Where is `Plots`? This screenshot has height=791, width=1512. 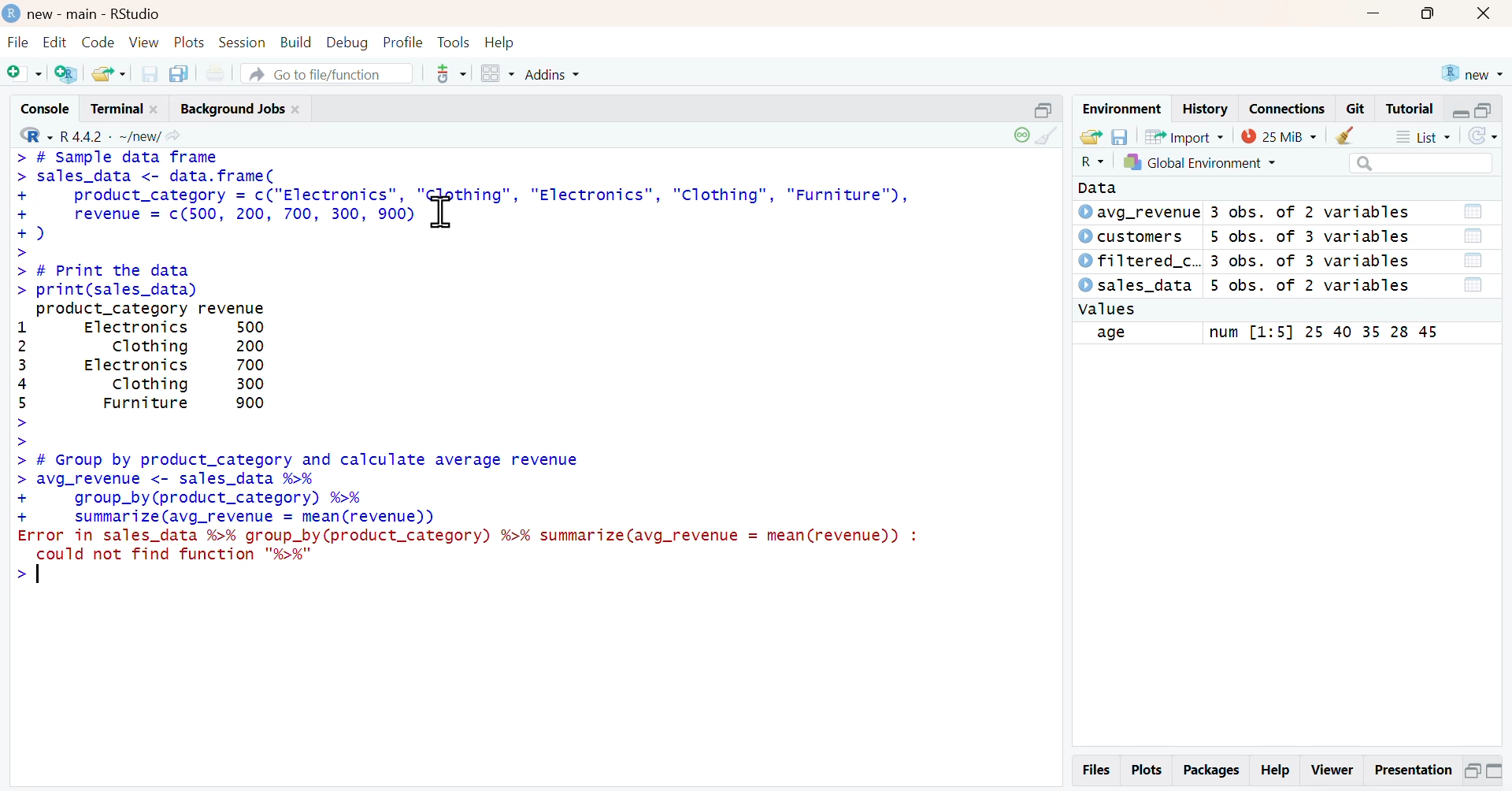 Plots is located at coordinates (1147, 771).